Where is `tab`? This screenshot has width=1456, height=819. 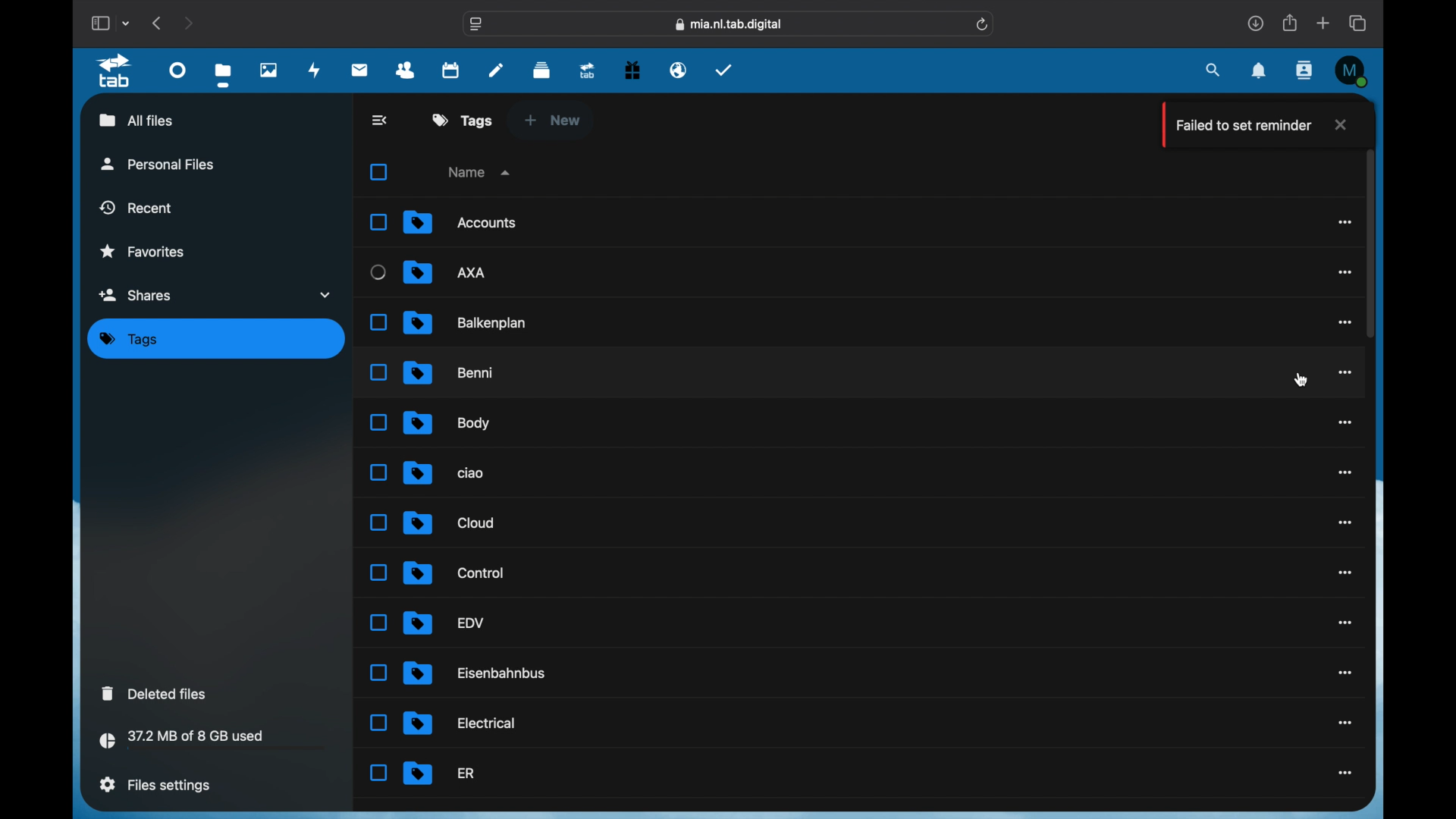 tab is located at coordinates (117, 71).